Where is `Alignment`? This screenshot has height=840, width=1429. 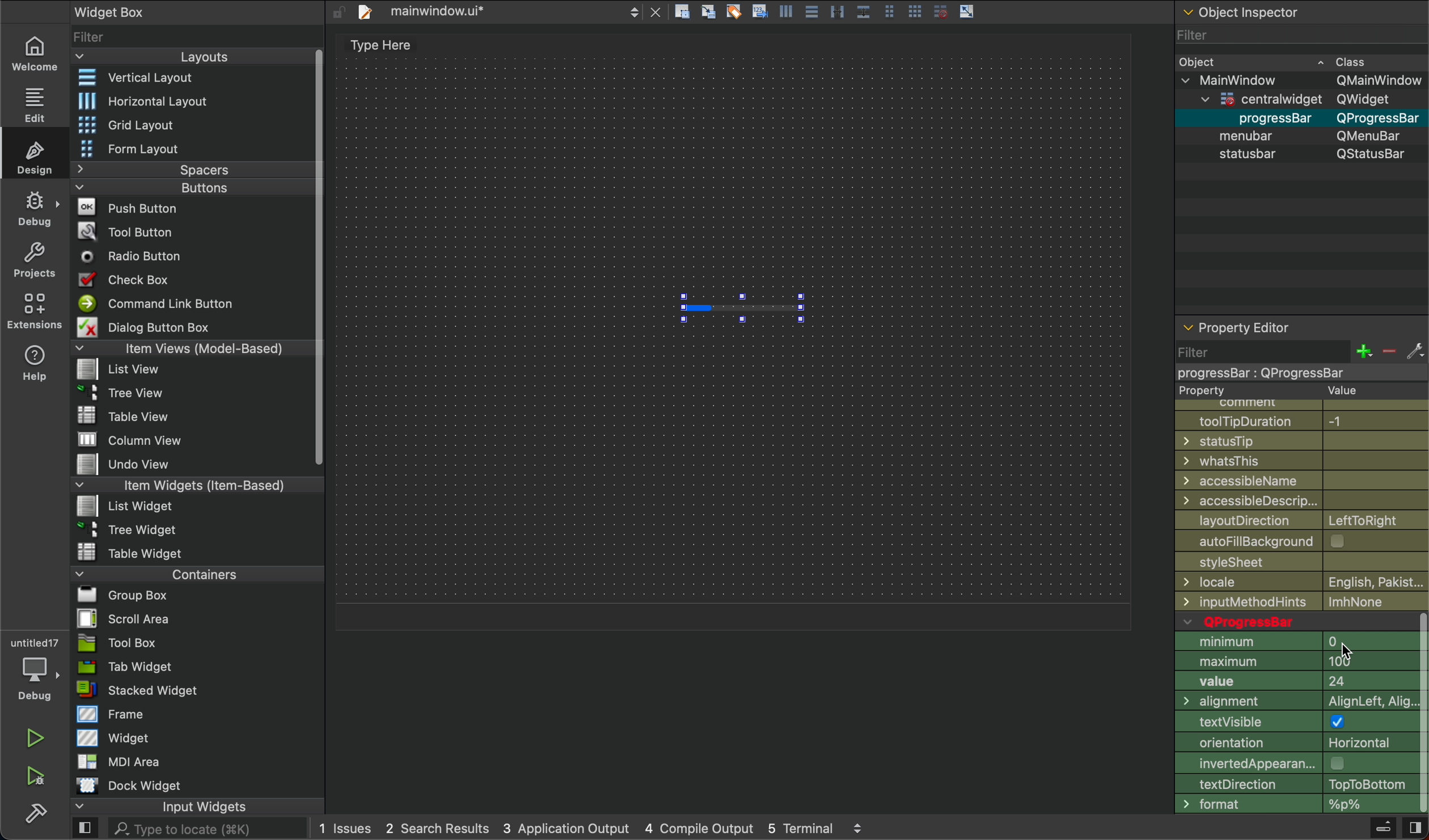 Alignment is located at coordinates (1293, 703).